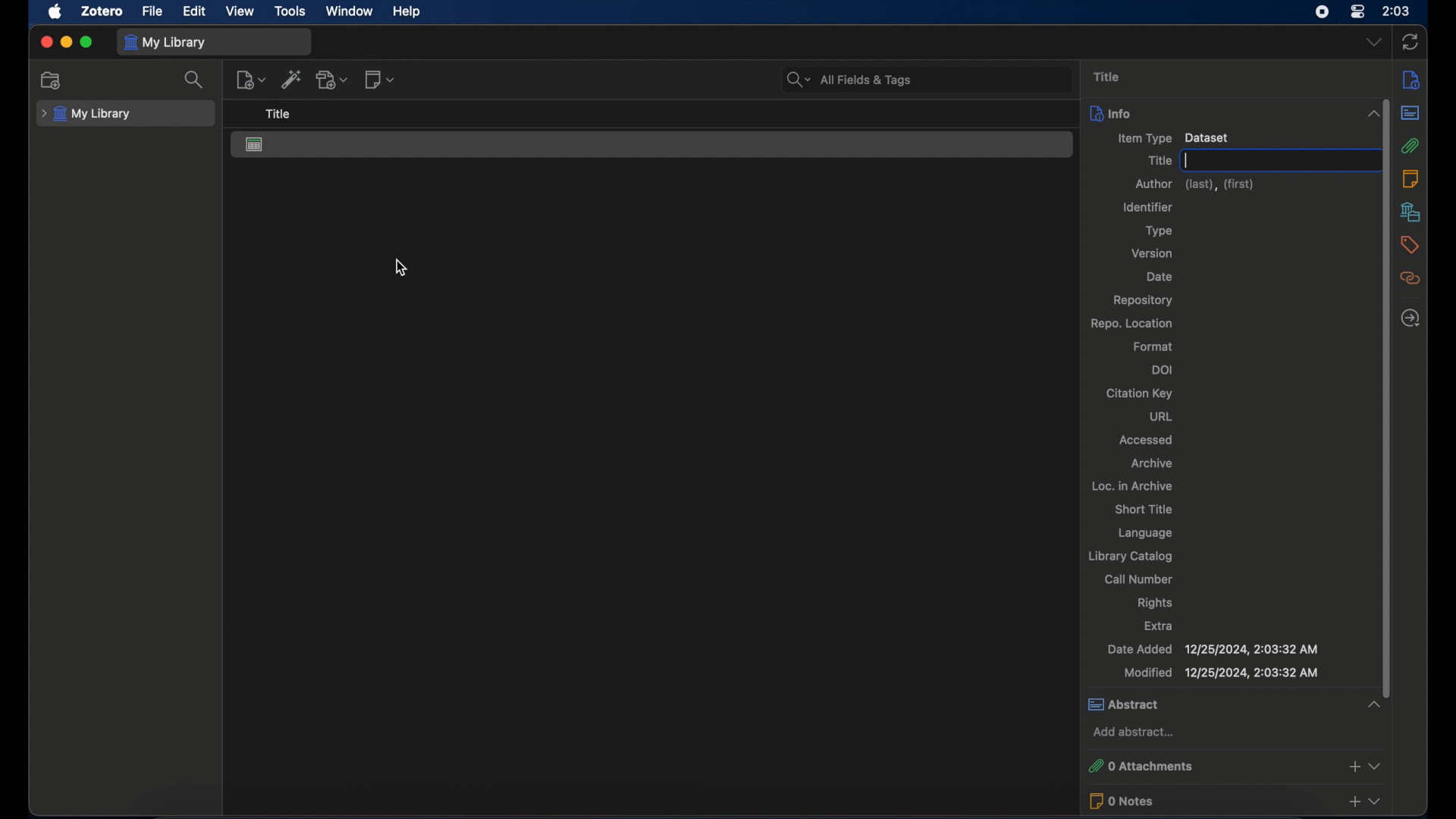 This screenshot has width=1456, height=819. Describe the element at coordinates (256, 145) in the screenshot. I see `dataset` at that location.